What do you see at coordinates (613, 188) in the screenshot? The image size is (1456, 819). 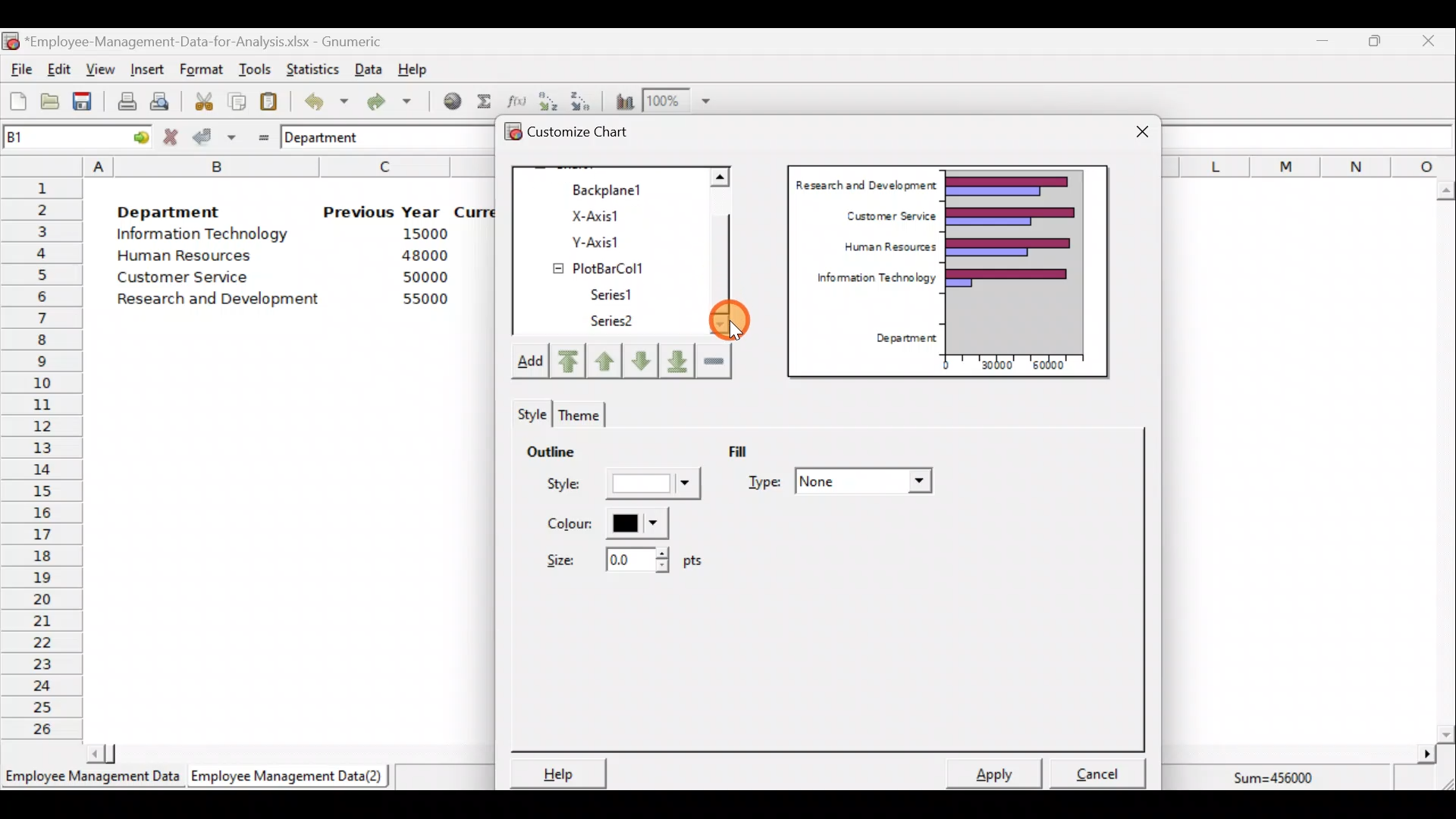 I see `Backplane1` at bounding box center [613, 188].